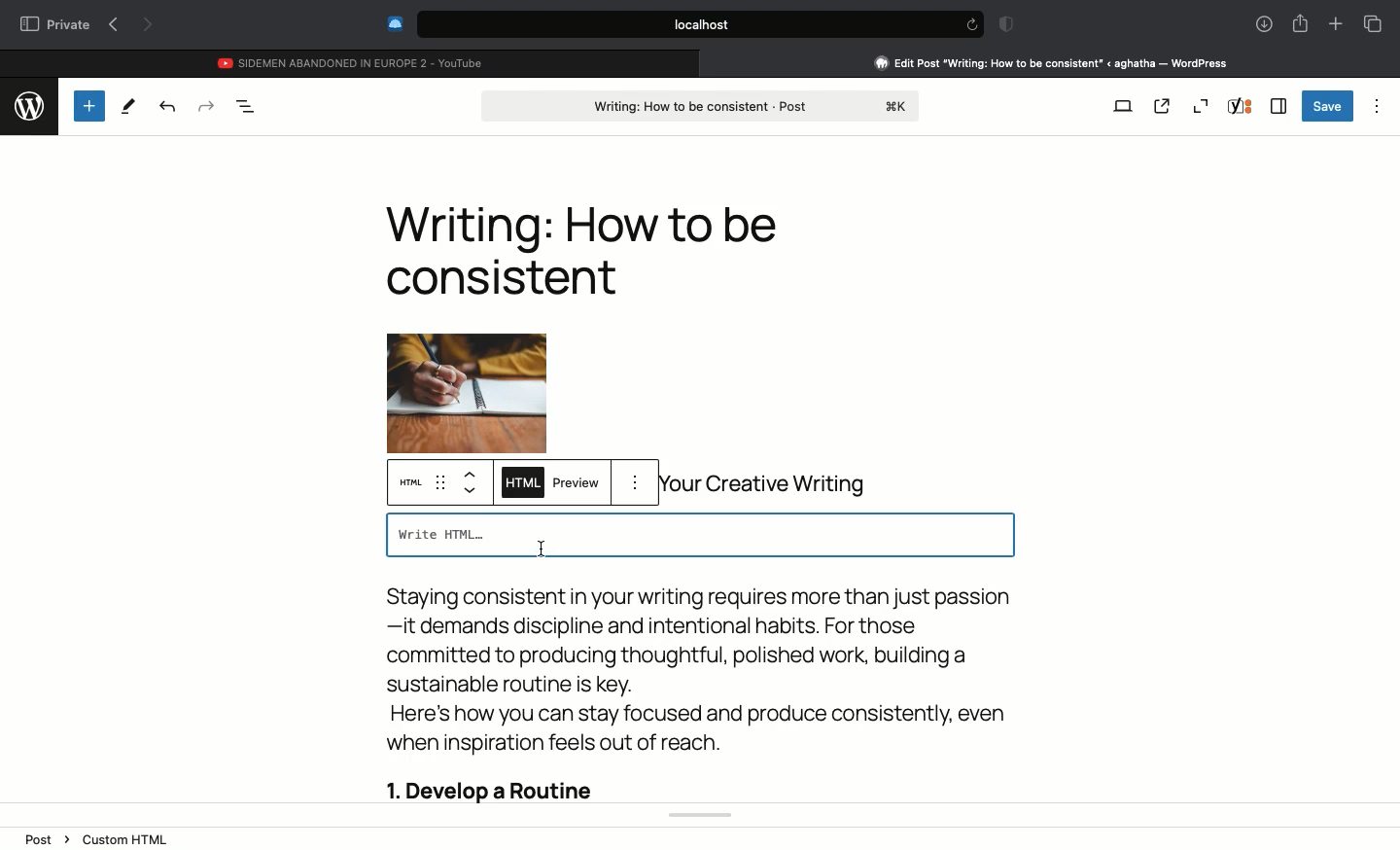  Describe the element at coordinates (28, 103) in the screenshot. I see `wordpress` at that location.